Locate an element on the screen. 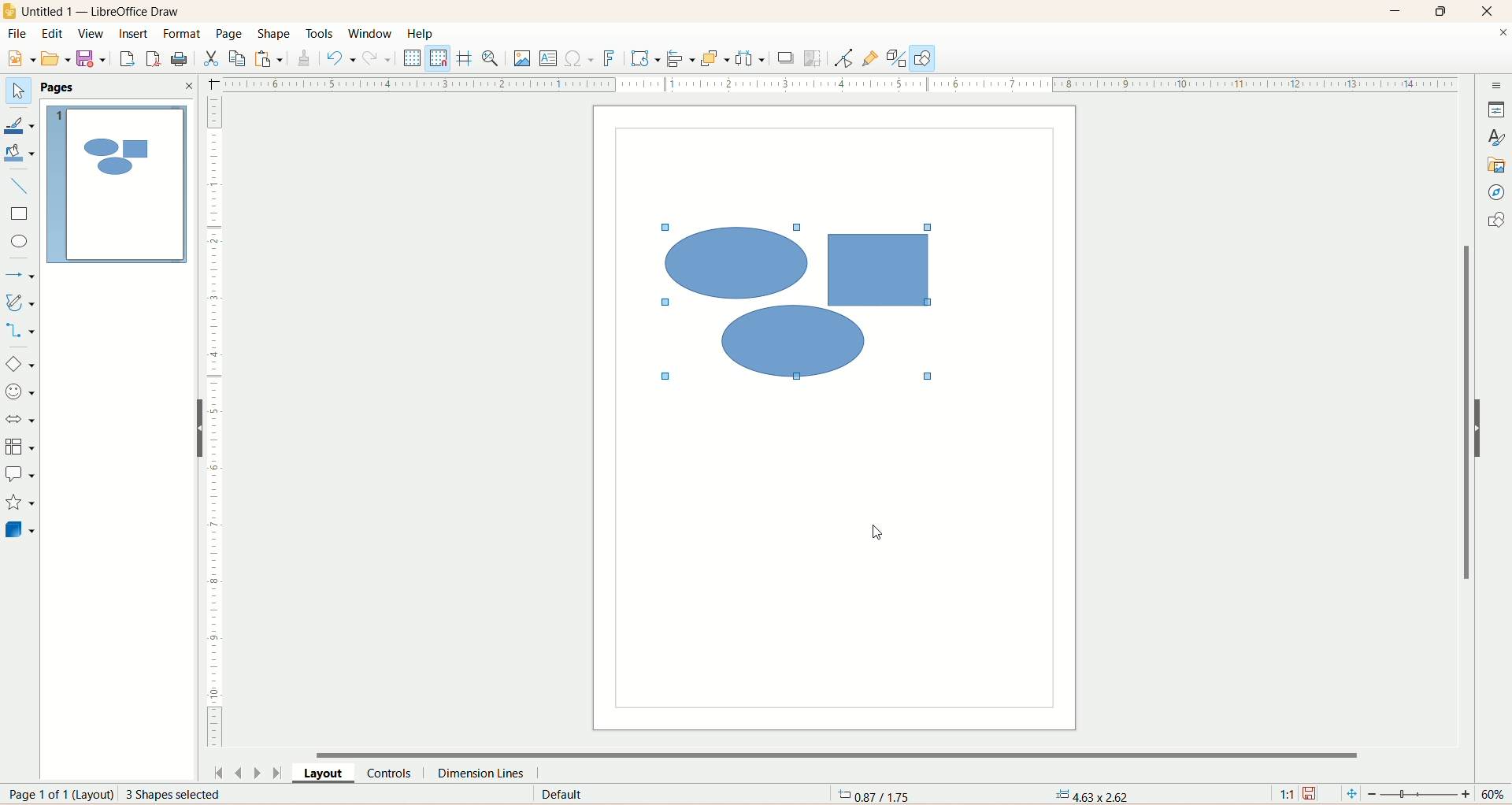 The image size is (1512, 805). select is located at coordinates (19, 91).